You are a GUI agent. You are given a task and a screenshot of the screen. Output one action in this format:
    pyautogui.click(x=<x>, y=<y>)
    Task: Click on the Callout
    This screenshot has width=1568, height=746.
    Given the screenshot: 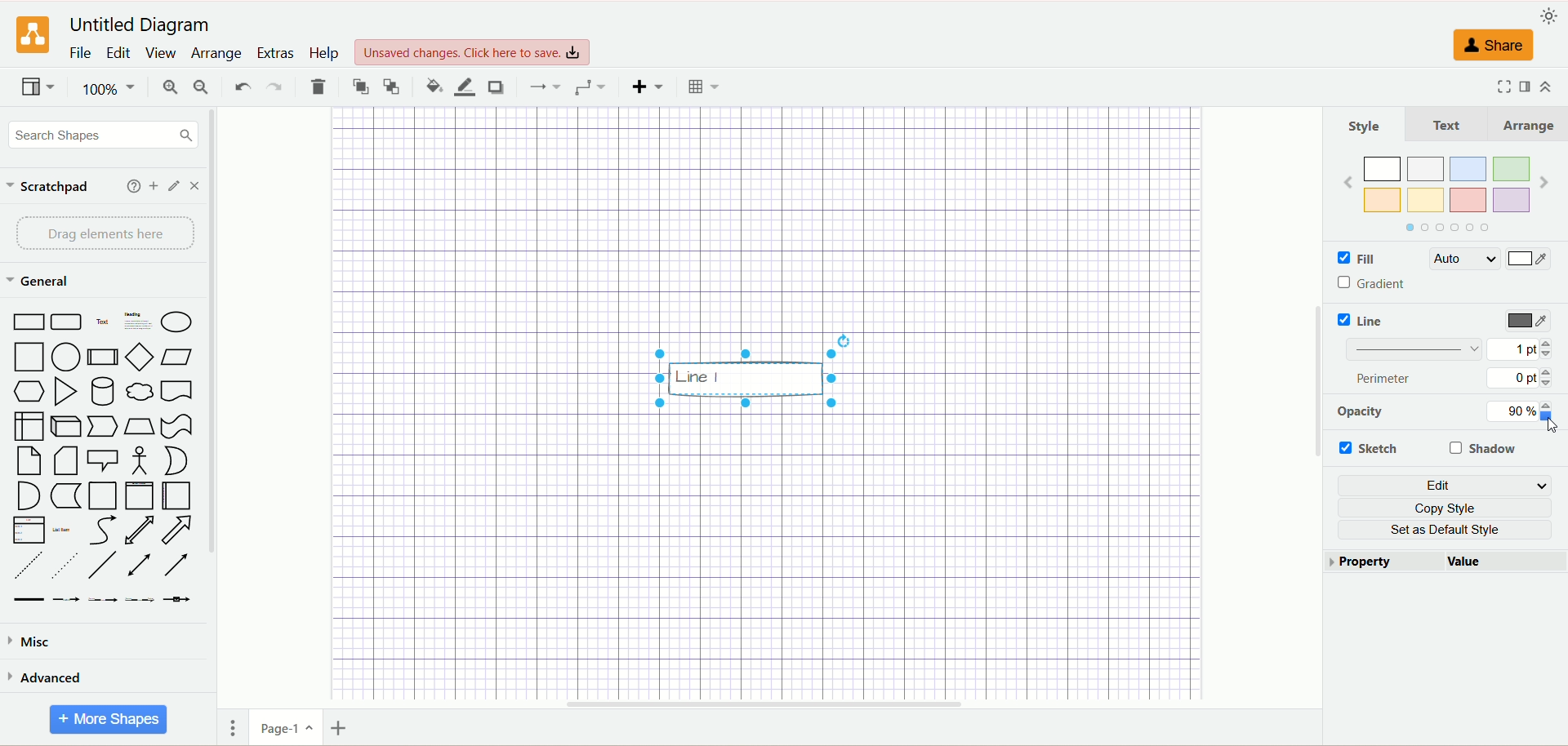 What is the action you would take?
    pyautogui.click(x=104, y=460)
    